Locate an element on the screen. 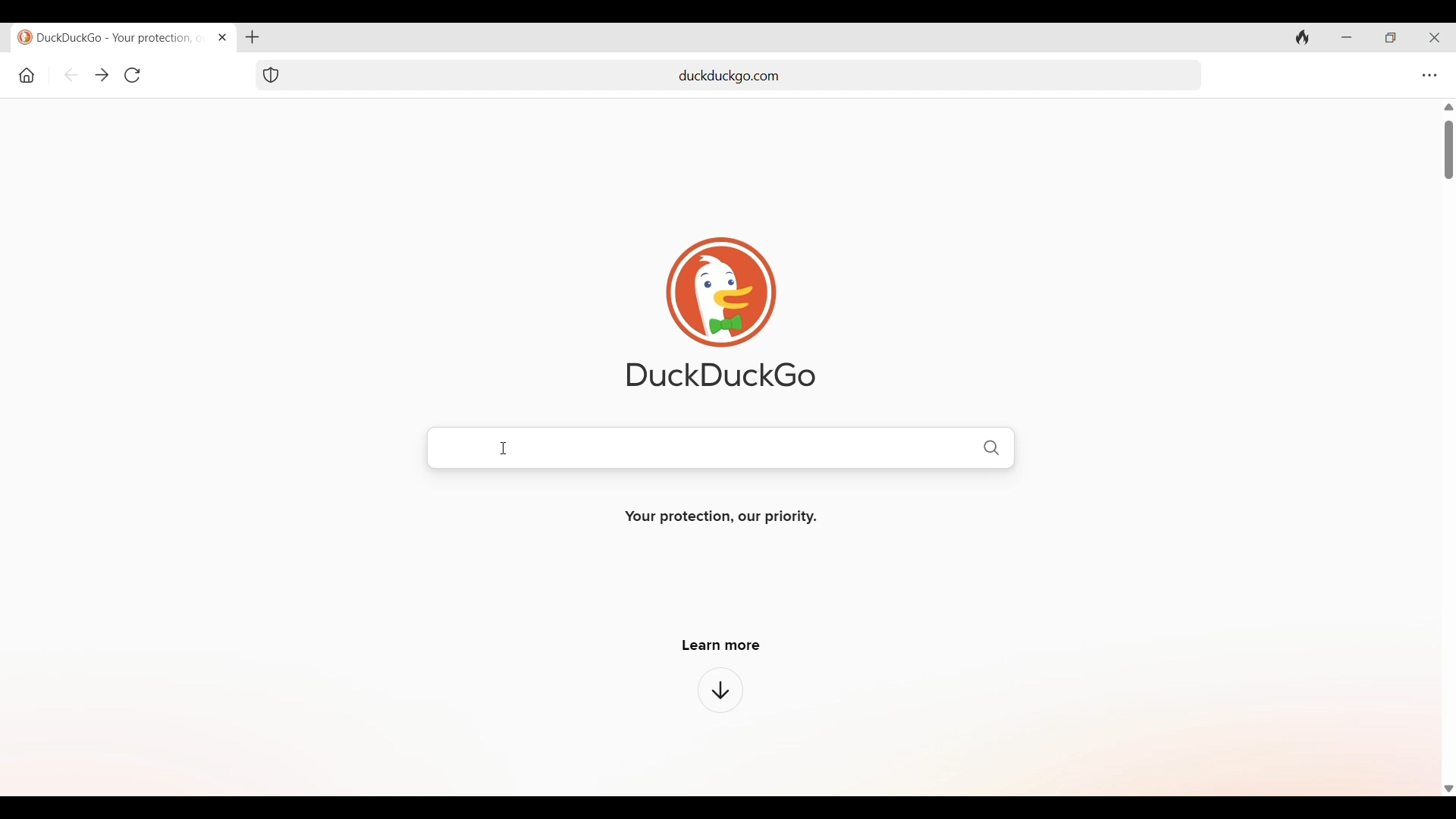 The height and width of the screenshot is (819, 1456). Refresh page is located at coordinates (133, 76).